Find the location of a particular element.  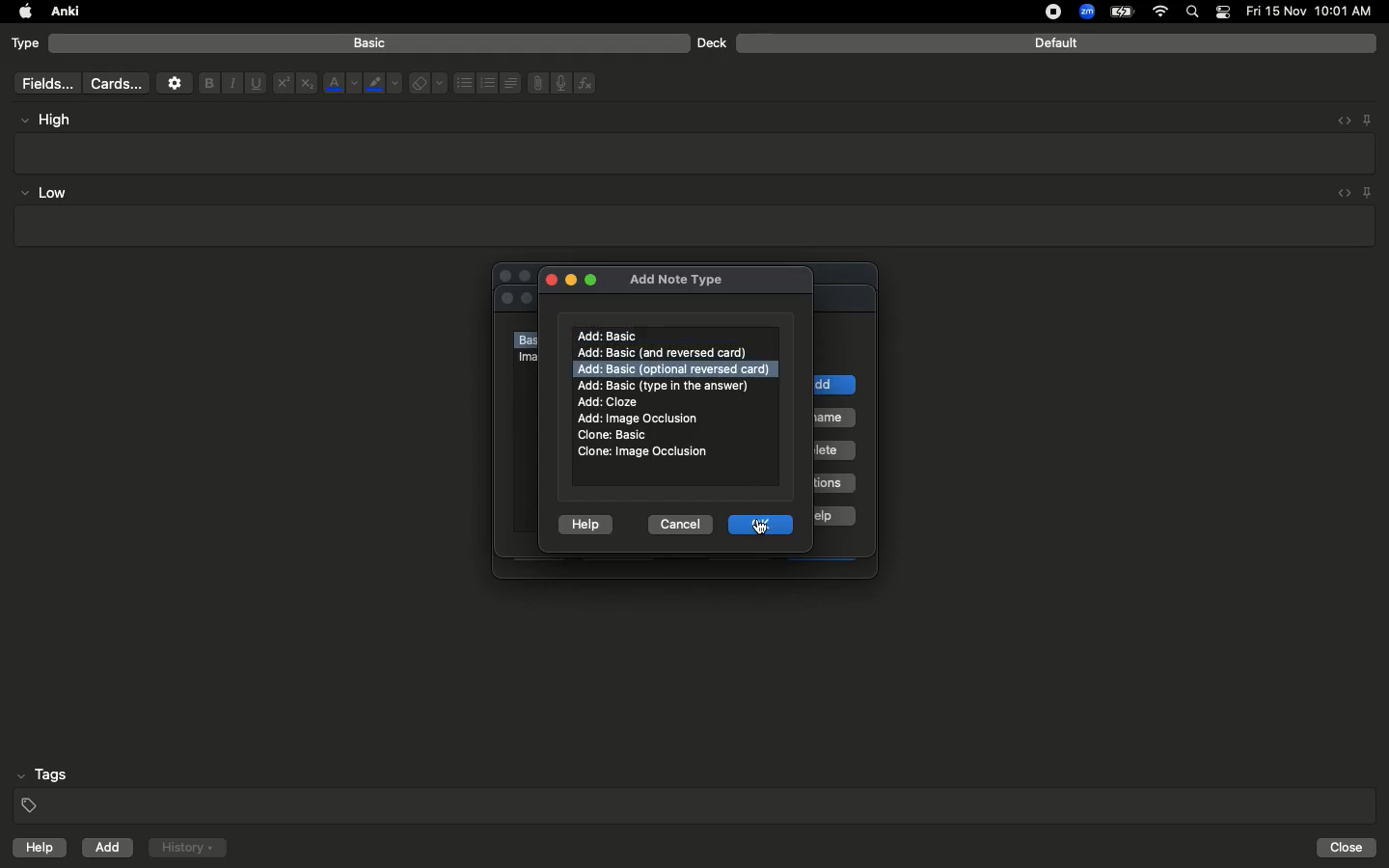

Add close is located at coordinates (611, 402).